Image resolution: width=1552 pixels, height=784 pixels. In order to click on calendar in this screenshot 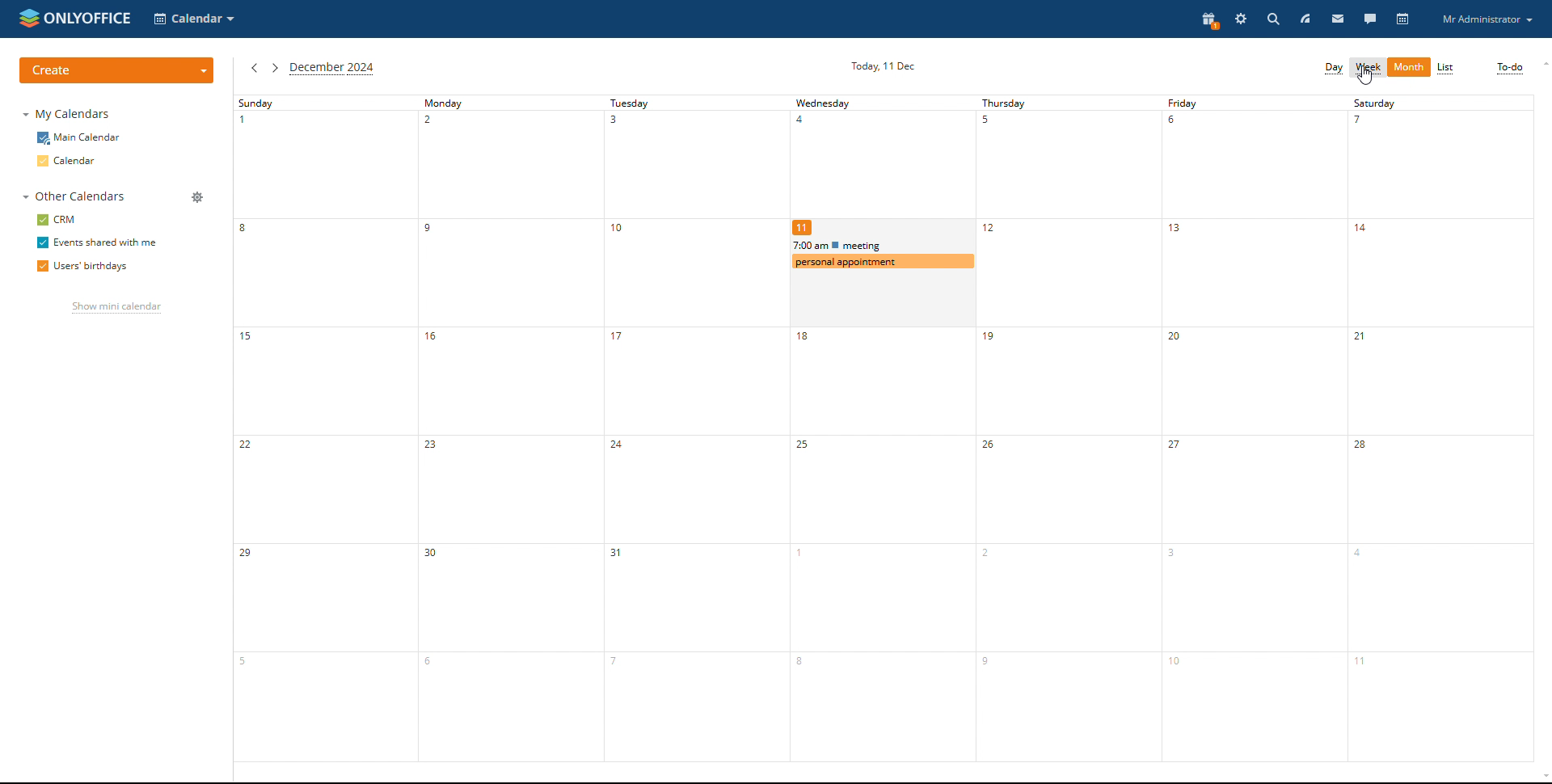, I will do `click(1402, 19)`.